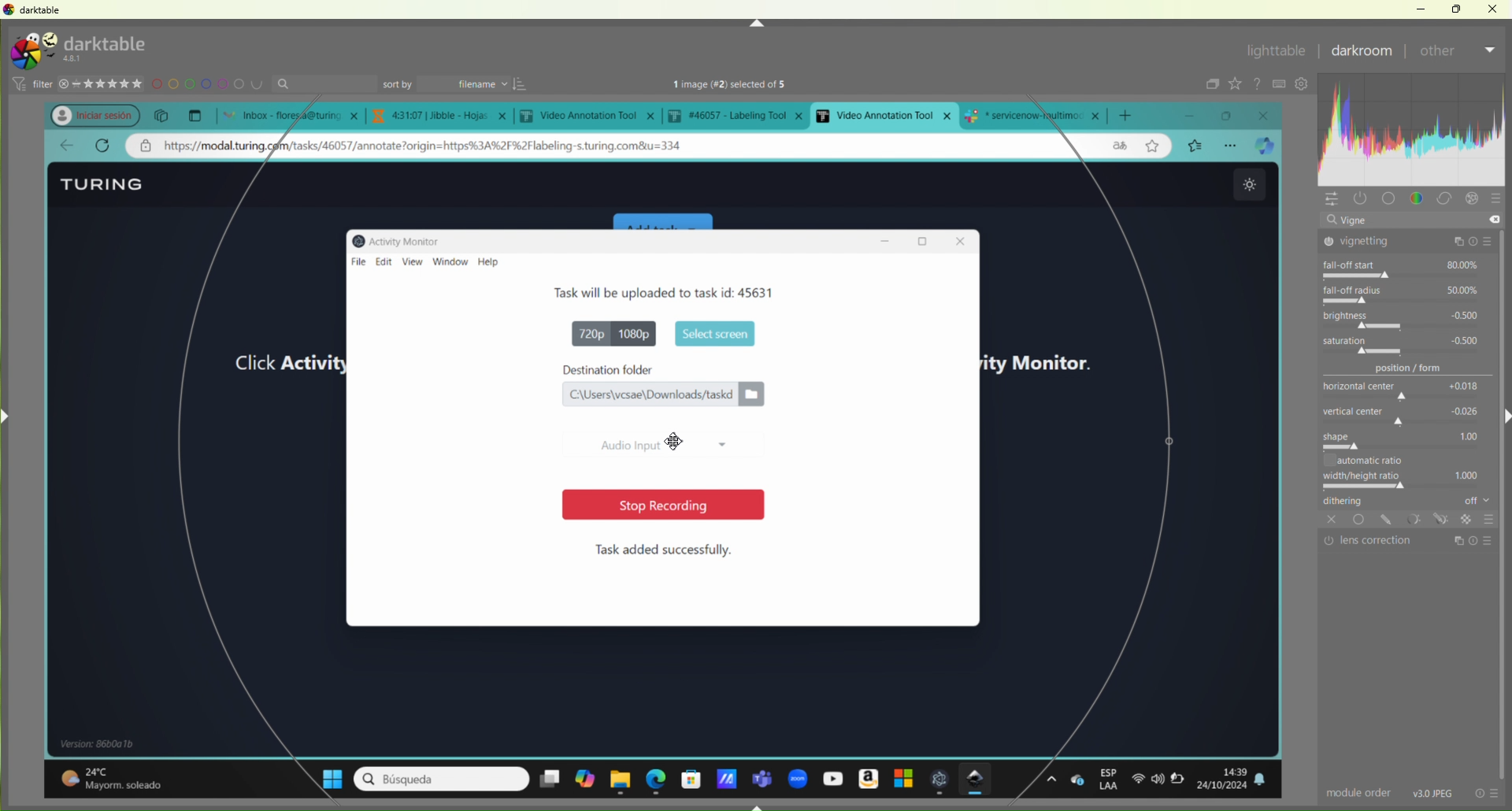  I want to click on refresh, so click(102, 146).